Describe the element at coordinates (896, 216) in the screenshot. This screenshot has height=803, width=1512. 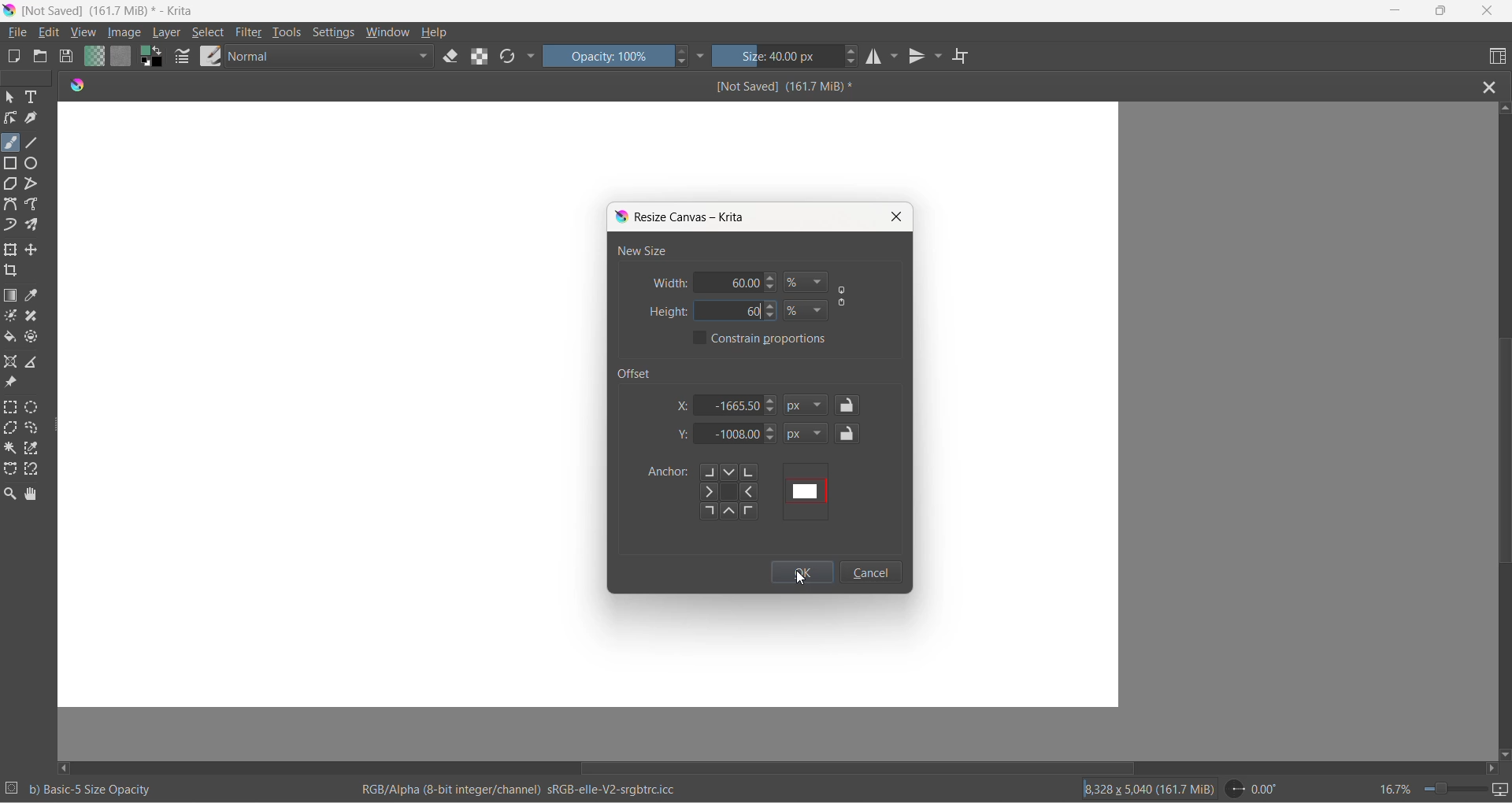
I see `close` at that location.